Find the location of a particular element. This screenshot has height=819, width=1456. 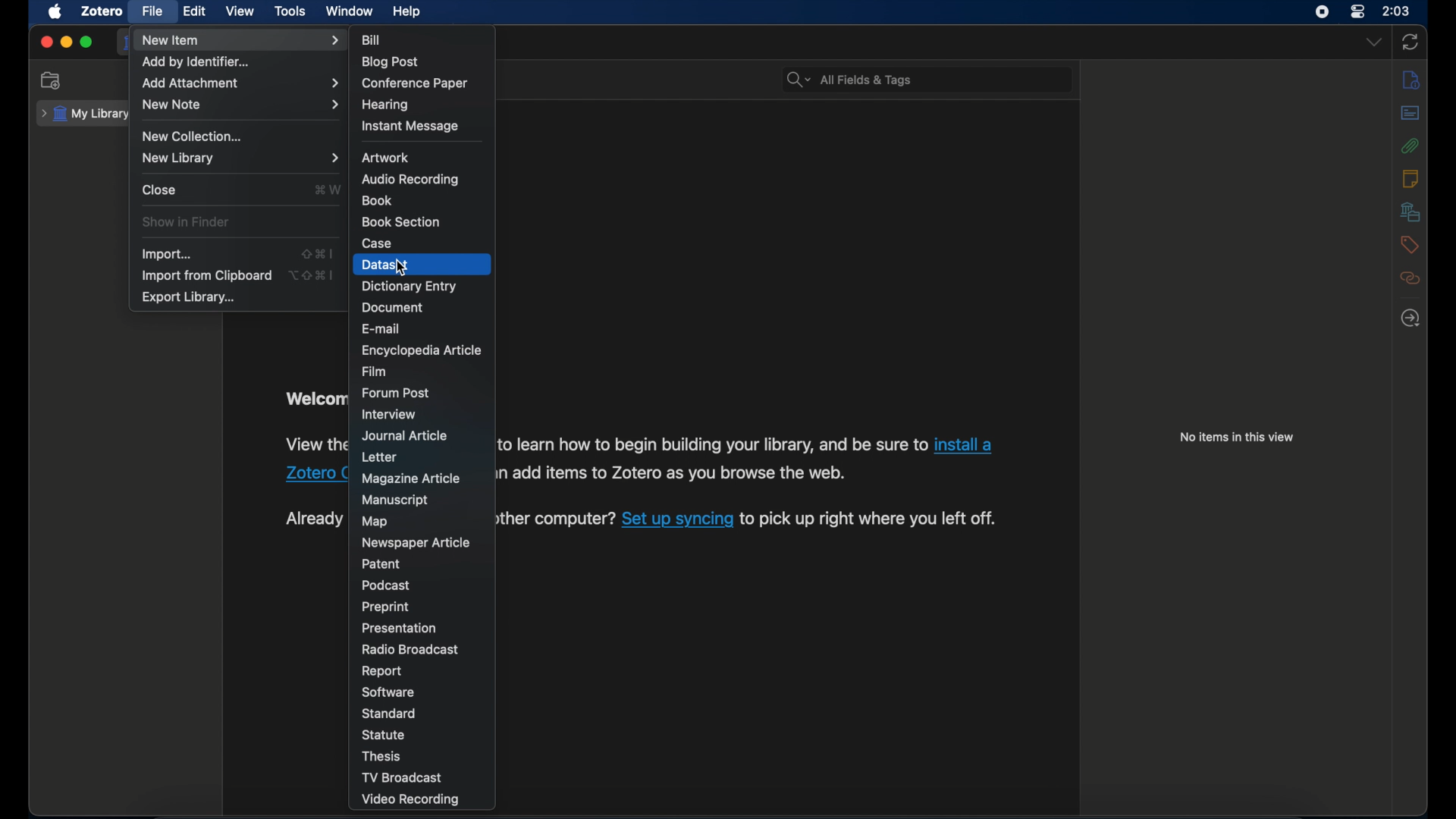

notes is located at coordinates (1410, 178).